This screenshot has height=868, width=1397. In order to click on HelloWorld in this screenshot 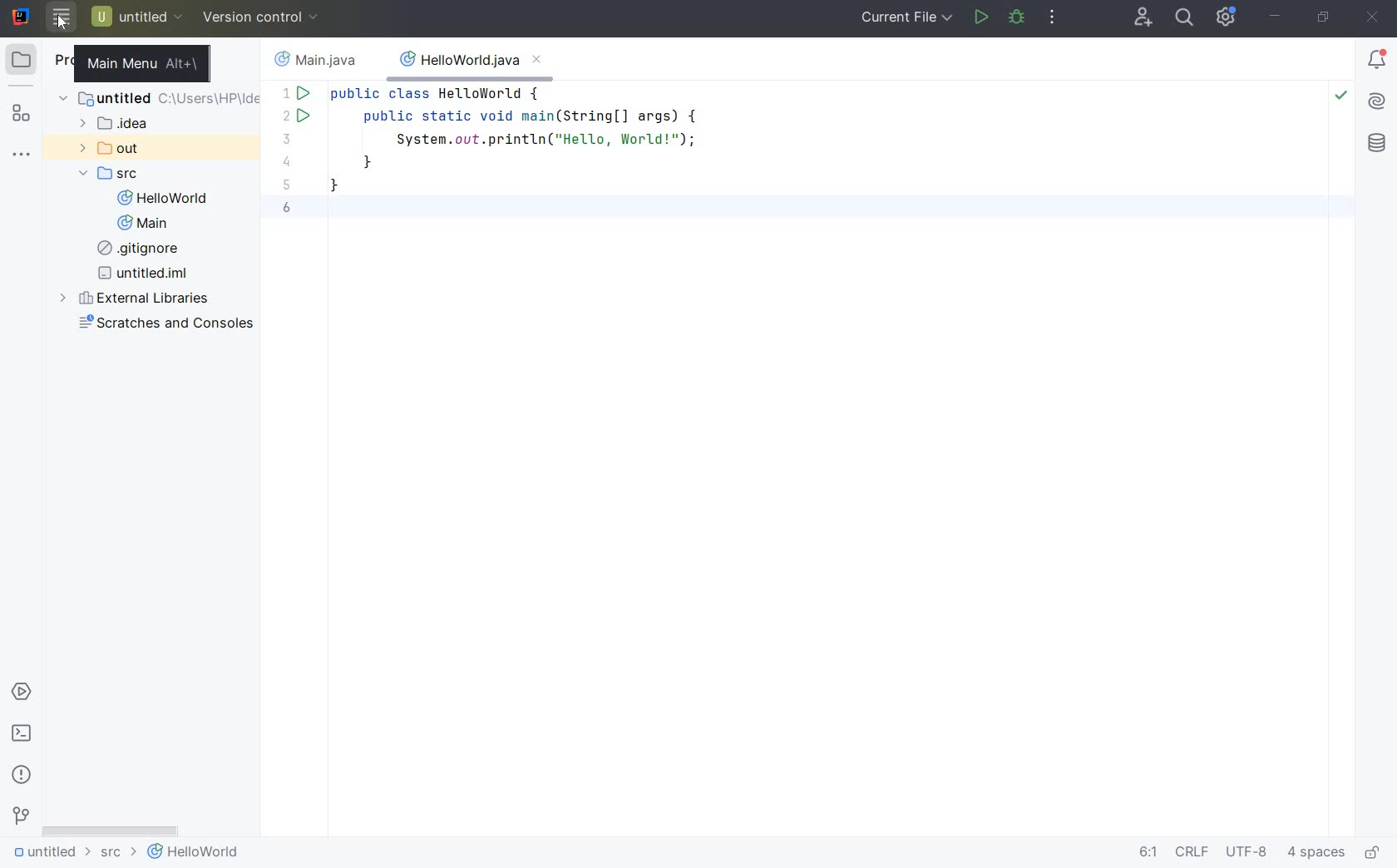, I will do `click(161, 200)`.